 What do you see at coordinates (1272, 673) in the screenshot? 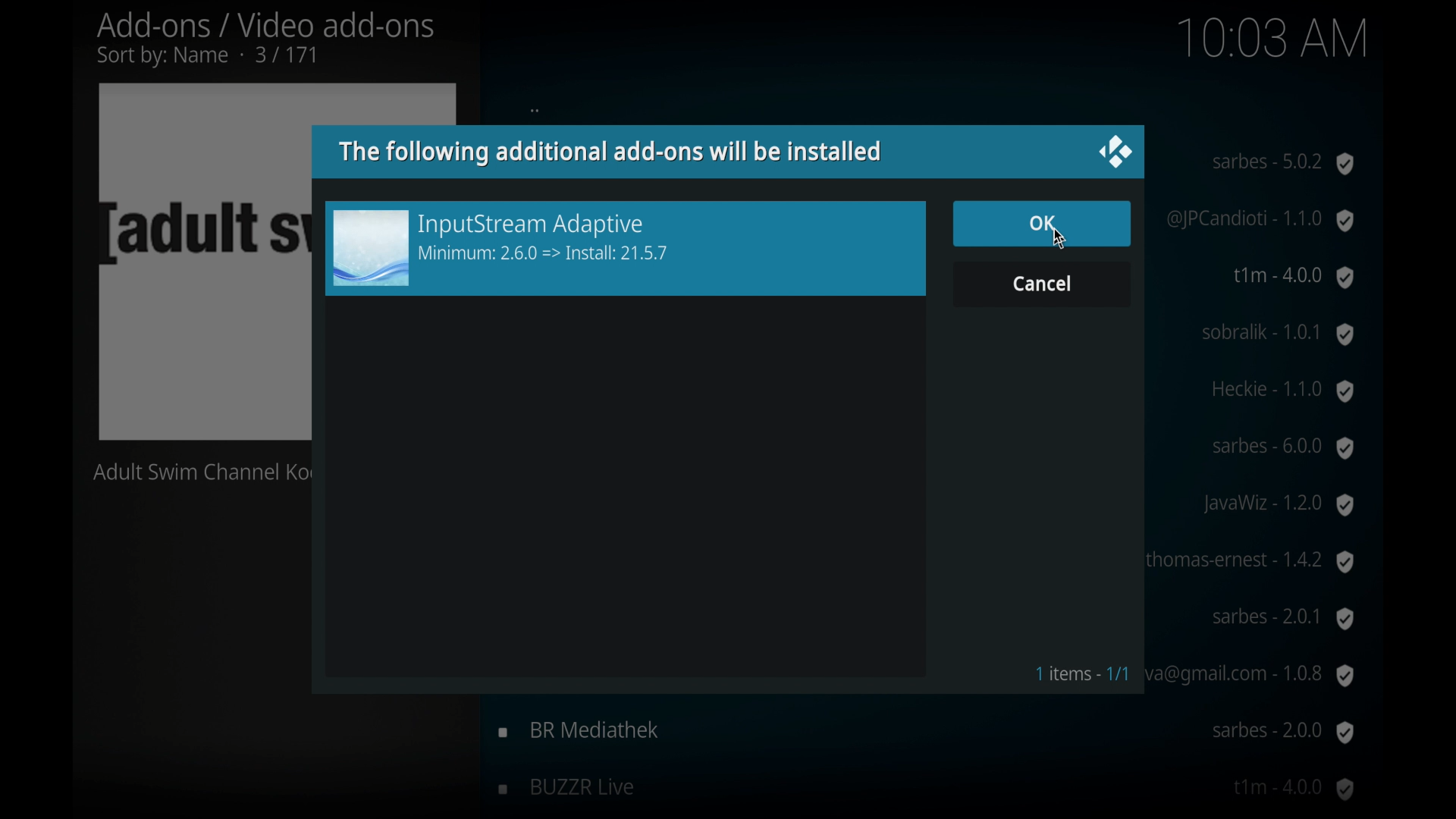
I see `bgtime` at bounding box center [1272, 673].